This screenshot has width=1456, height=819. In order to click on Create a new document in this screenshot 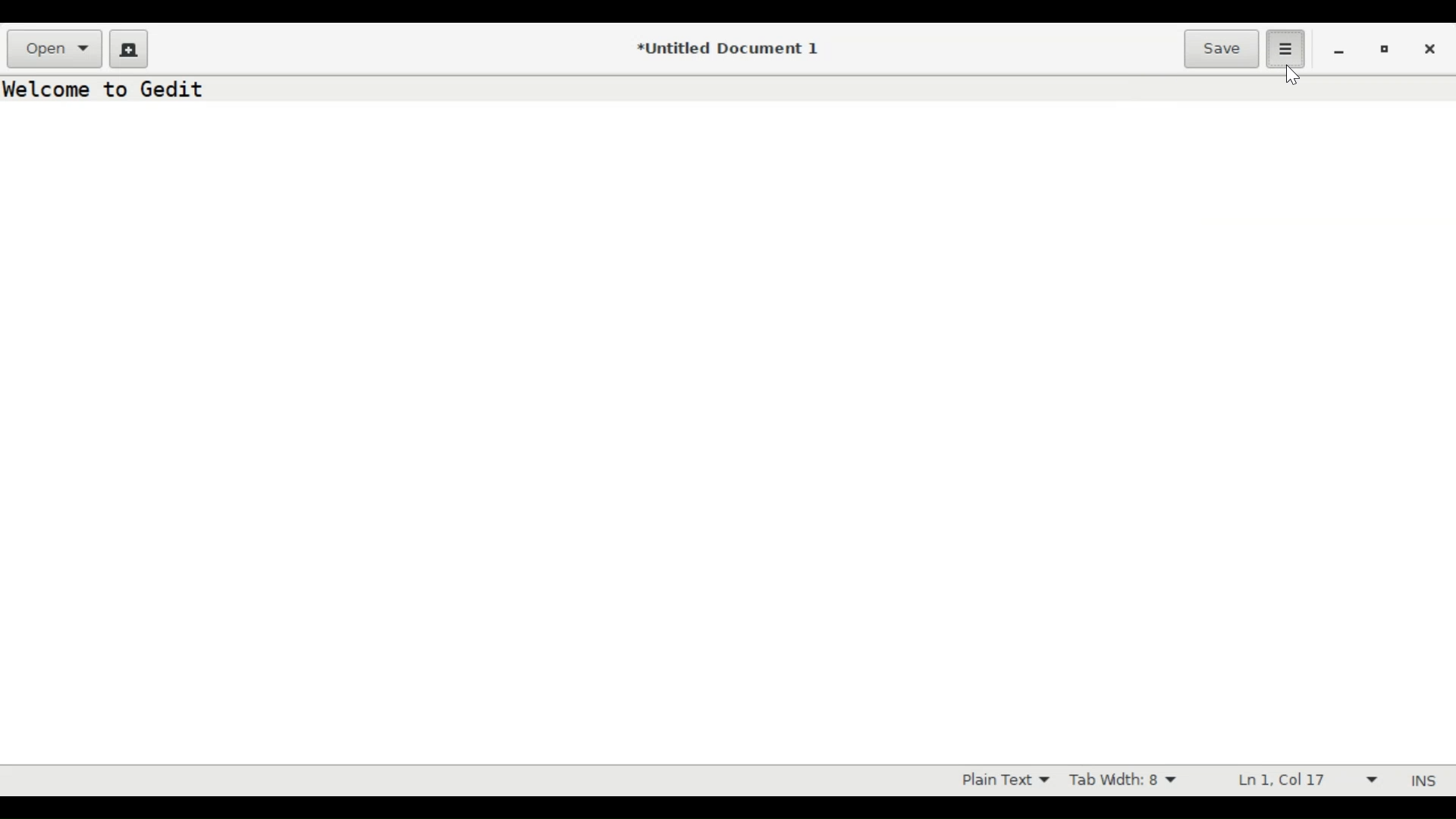, I will do `click(128, 48)`.